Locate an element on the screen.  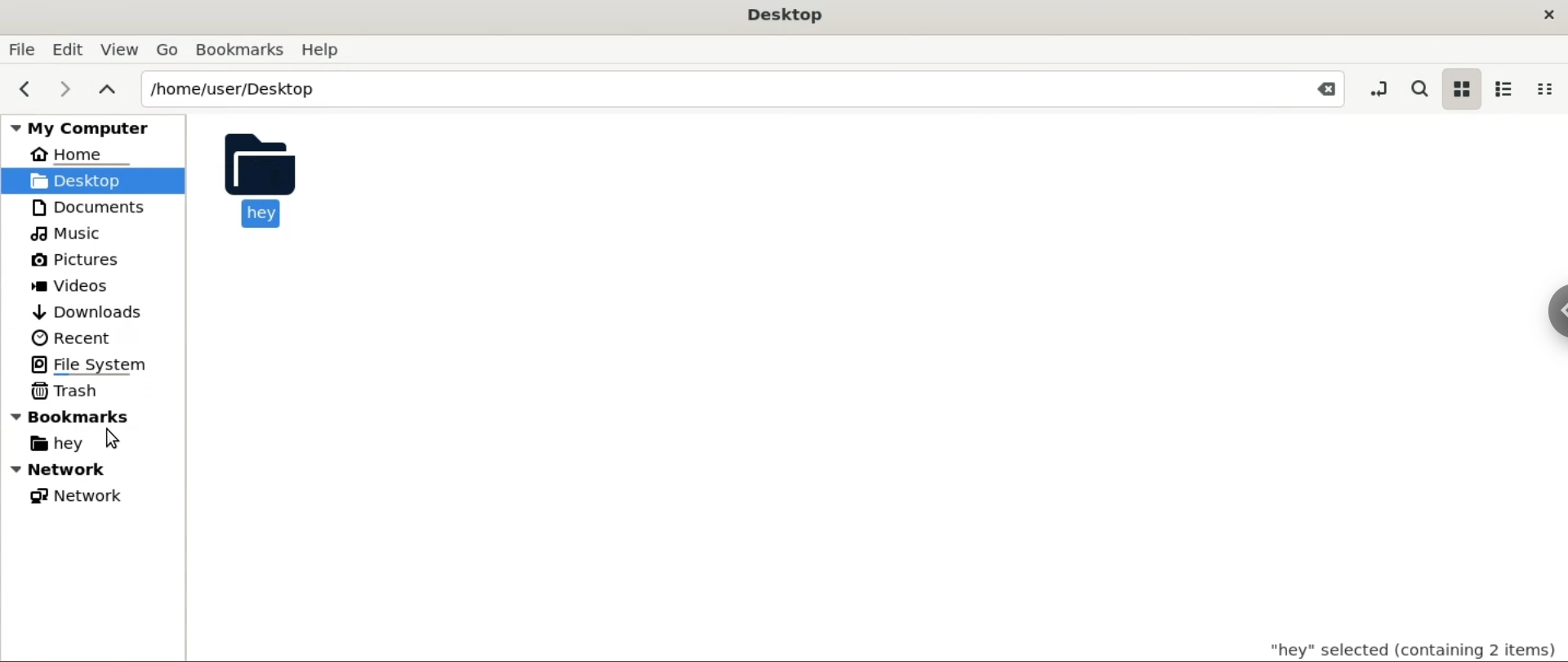
Downloads is located at coordinates (88, 311).